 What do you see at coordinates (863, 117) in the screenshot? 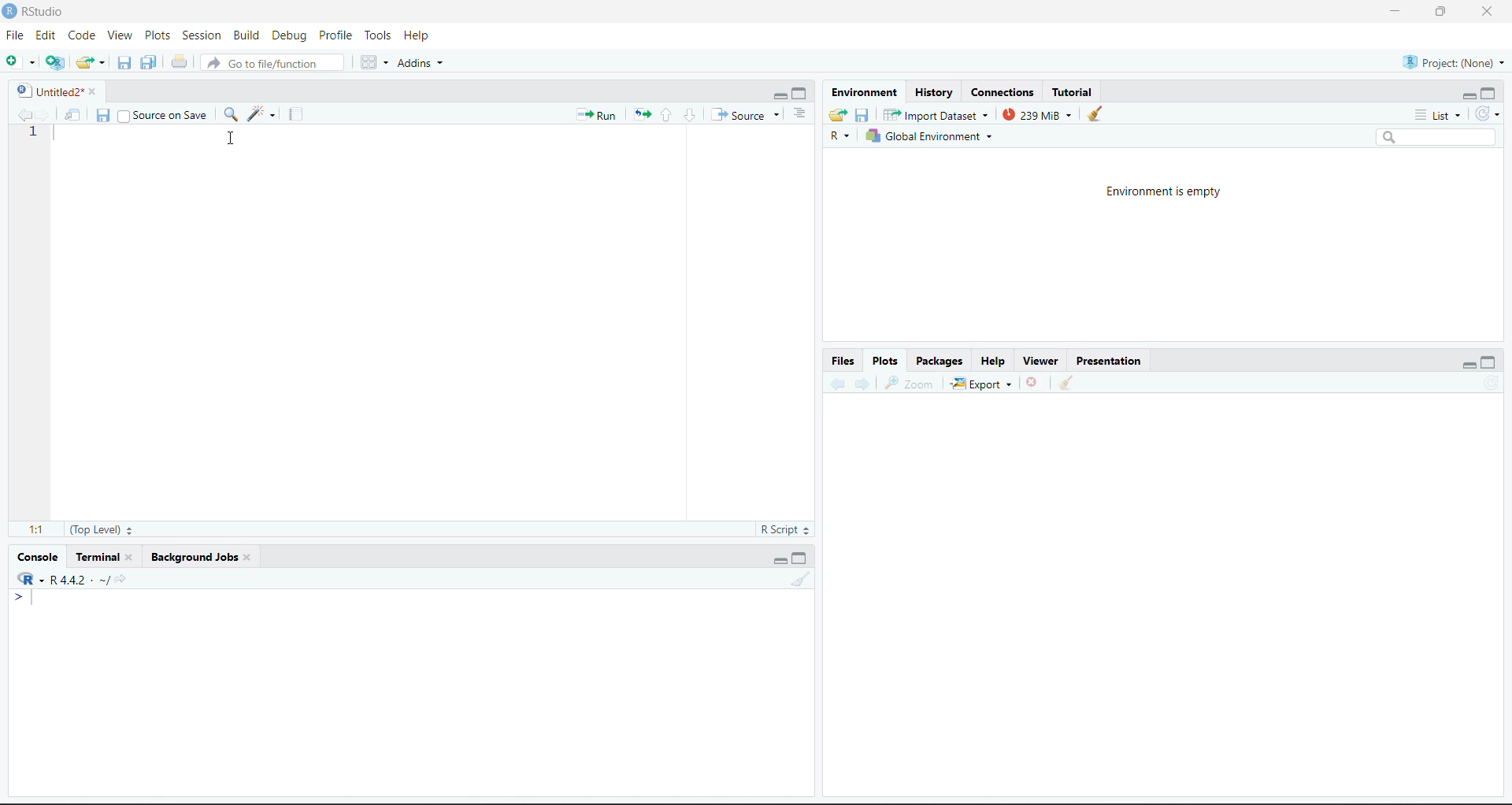
I see `Save workspace as` at bounding box center [863, 117].